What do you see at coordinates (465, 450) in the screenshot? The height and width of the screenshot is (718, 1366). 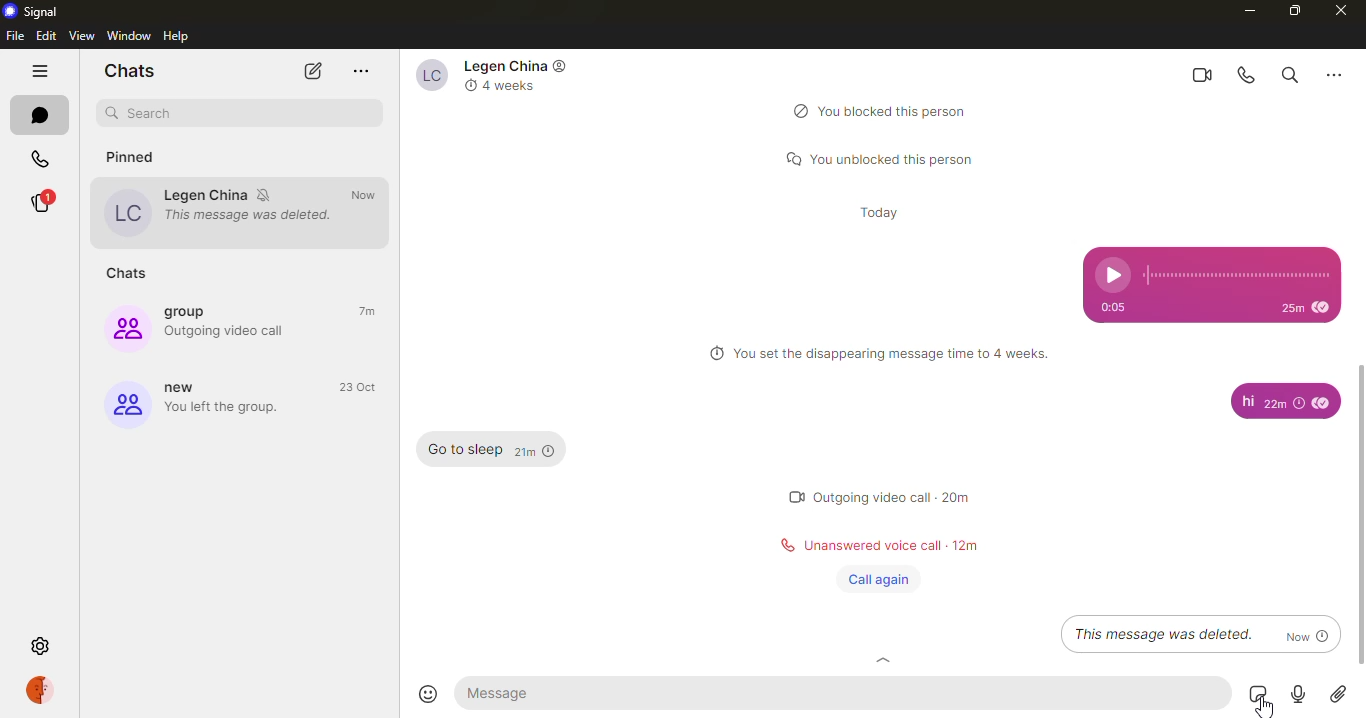 I see `message` at bounding box center [465, 450].